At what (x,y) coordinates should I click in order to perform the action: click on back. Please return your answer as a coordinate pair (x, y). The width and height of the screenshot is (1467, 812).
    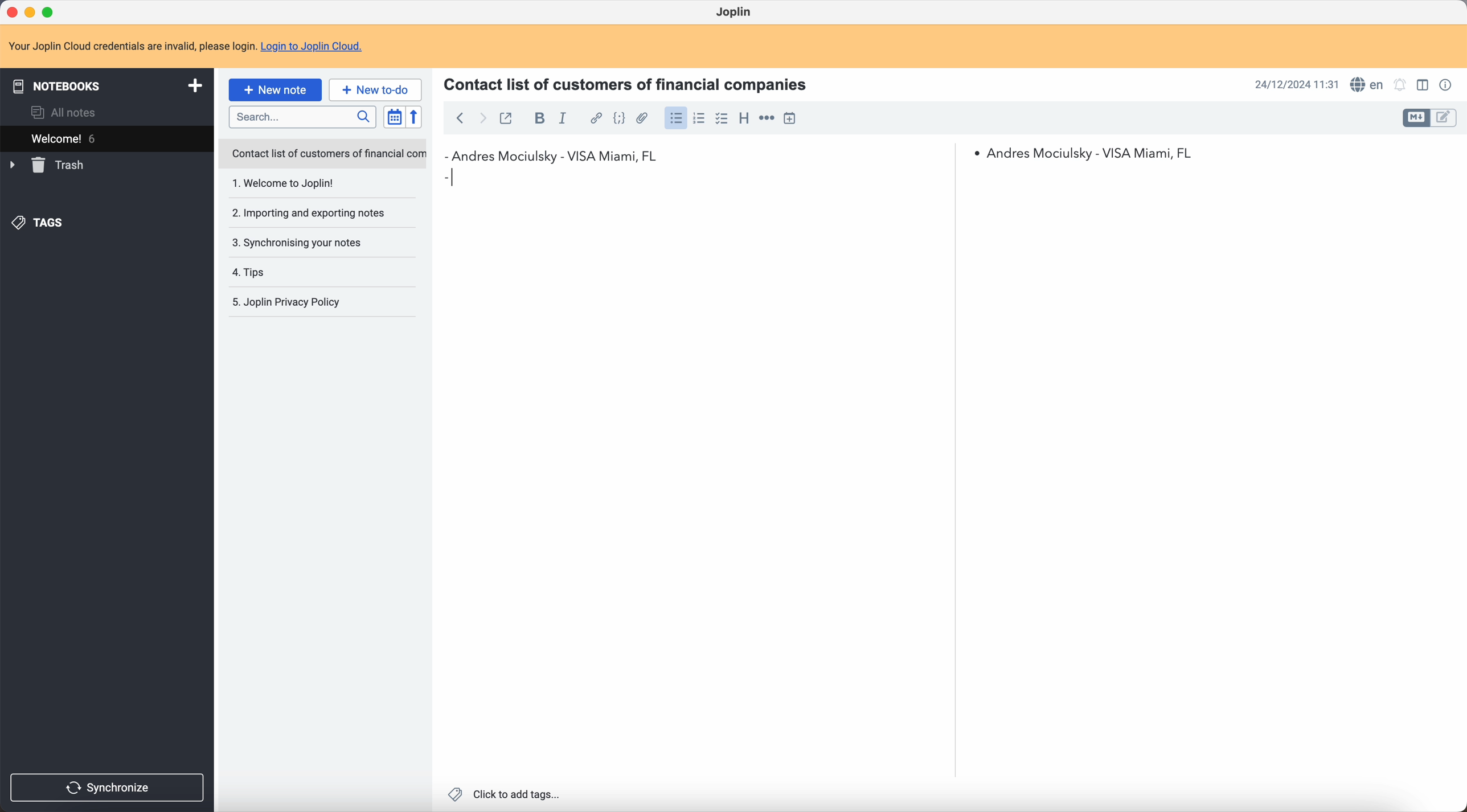
    Looking at the image, I should click on (460, 117).